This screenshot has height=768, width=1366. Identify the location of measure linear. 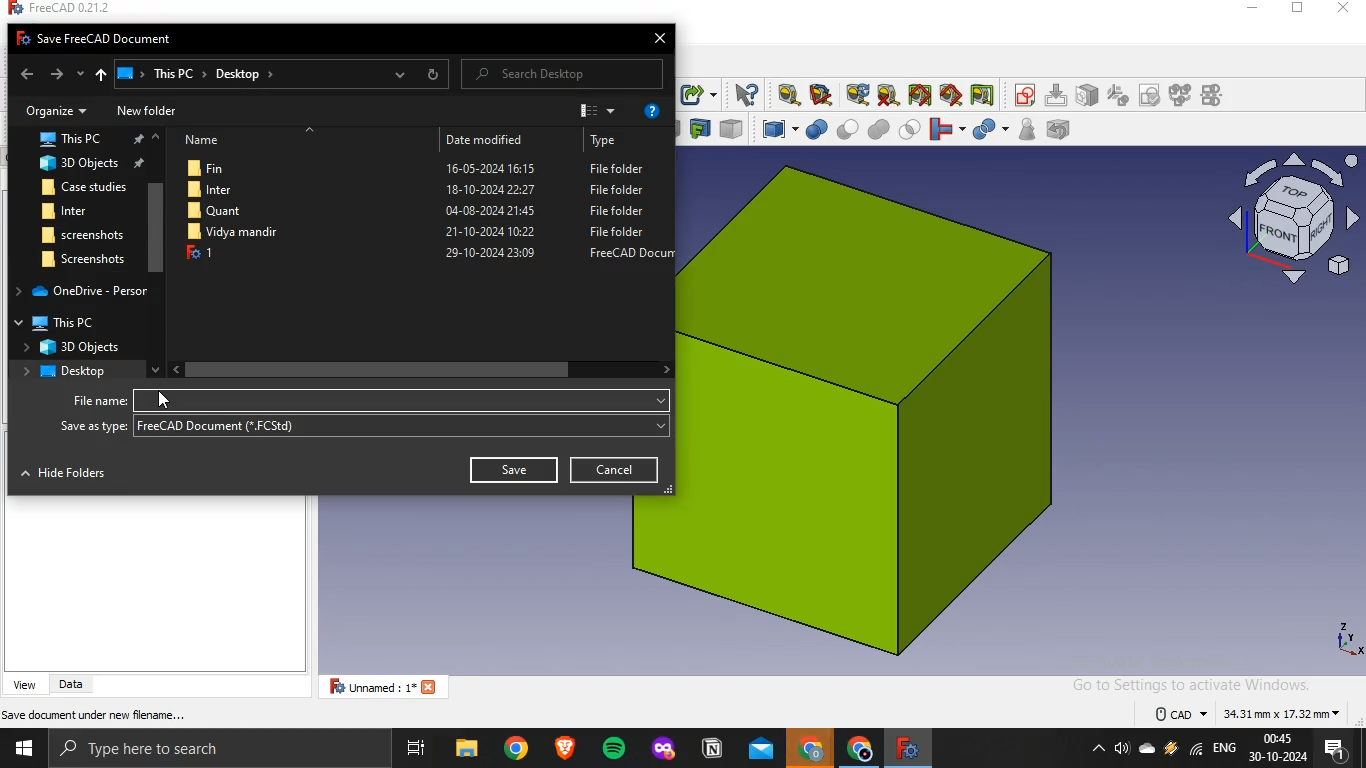
(790, 94).